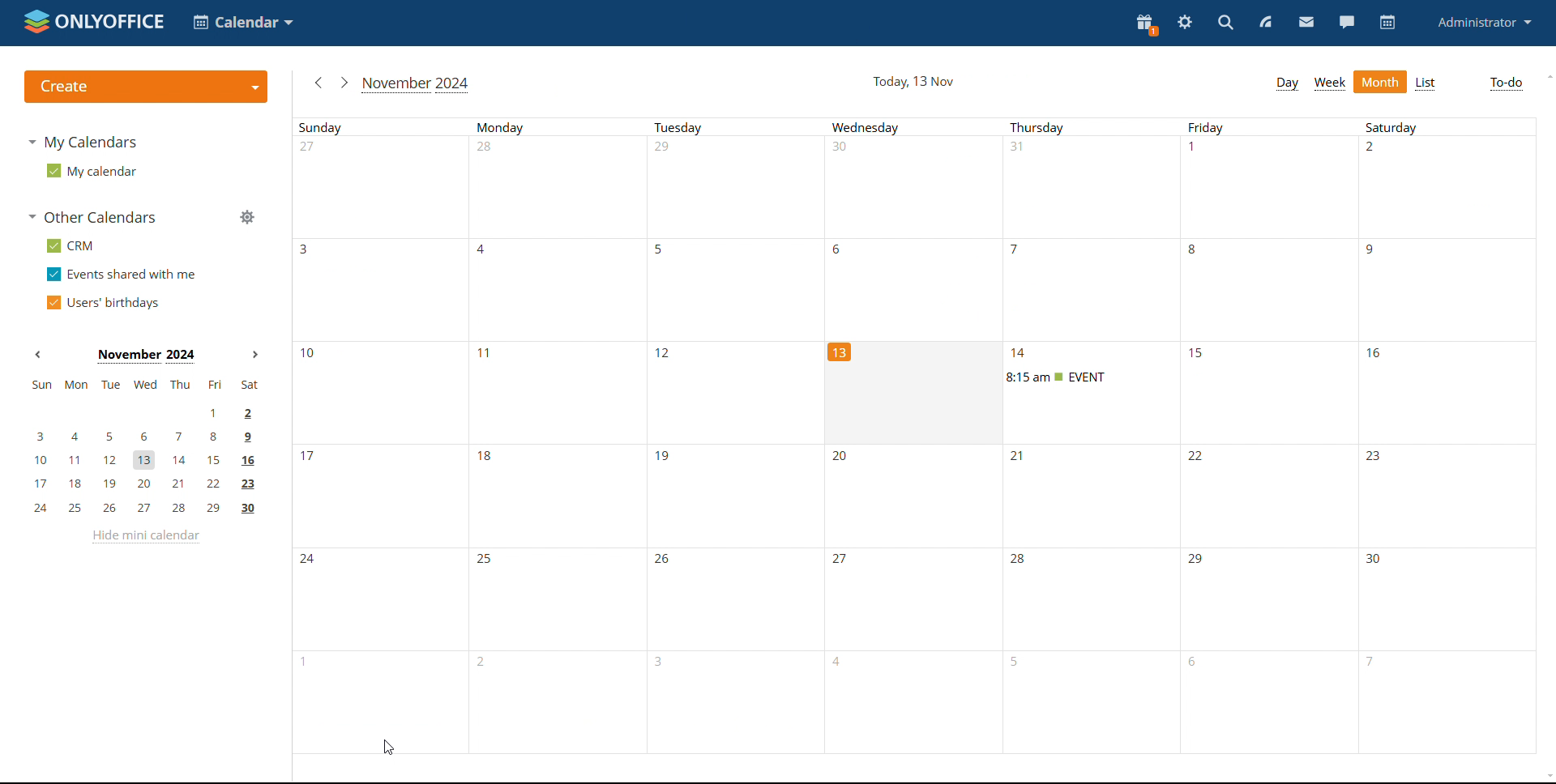 Image resolution: width=1556 pixels, height=784 pixels. I want to click on my calendar, so click(91, 172).